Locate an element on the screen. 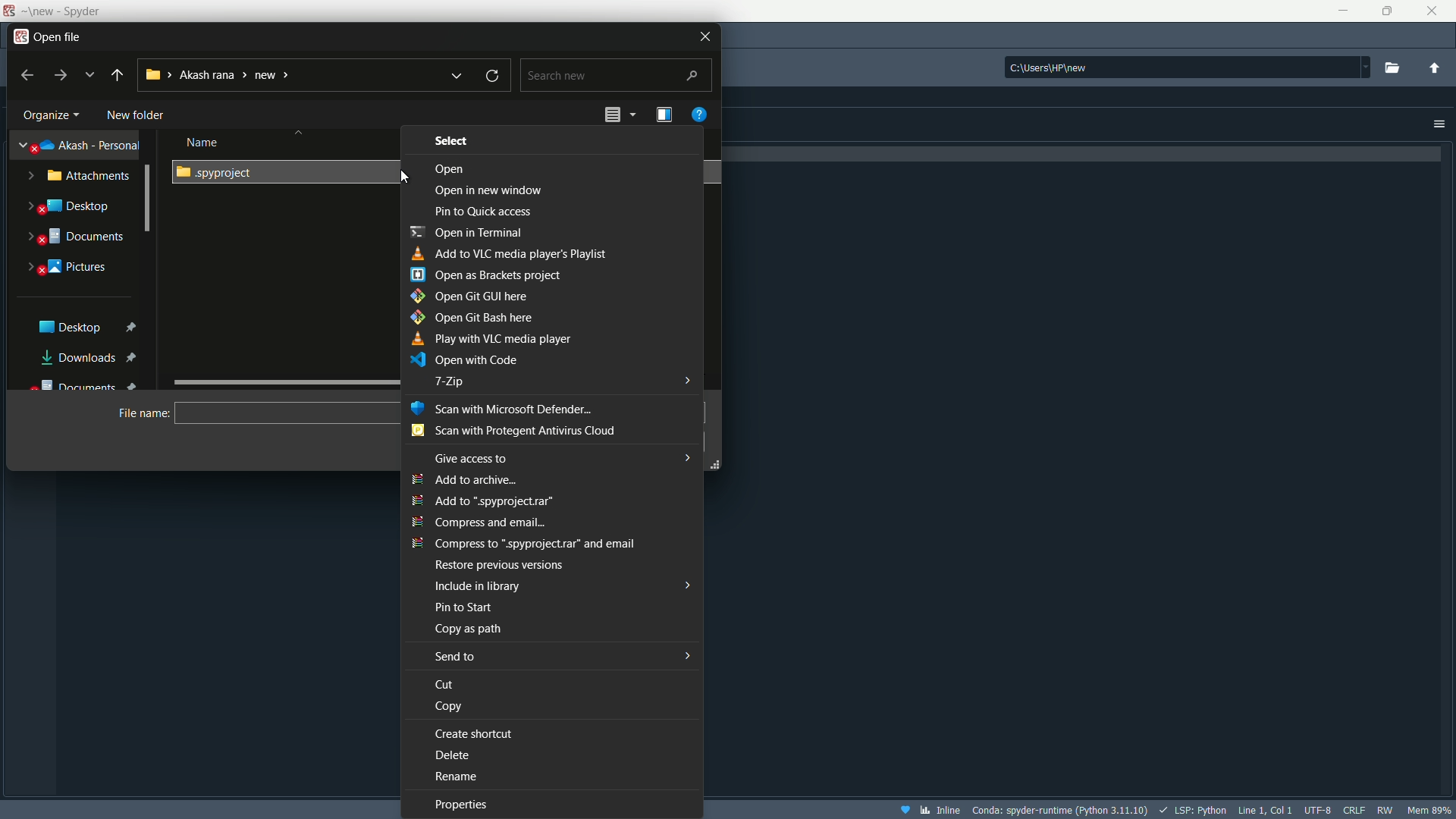 The height and width of the screenshot is (819, 1456). Select is located at coordinates (465, 140).